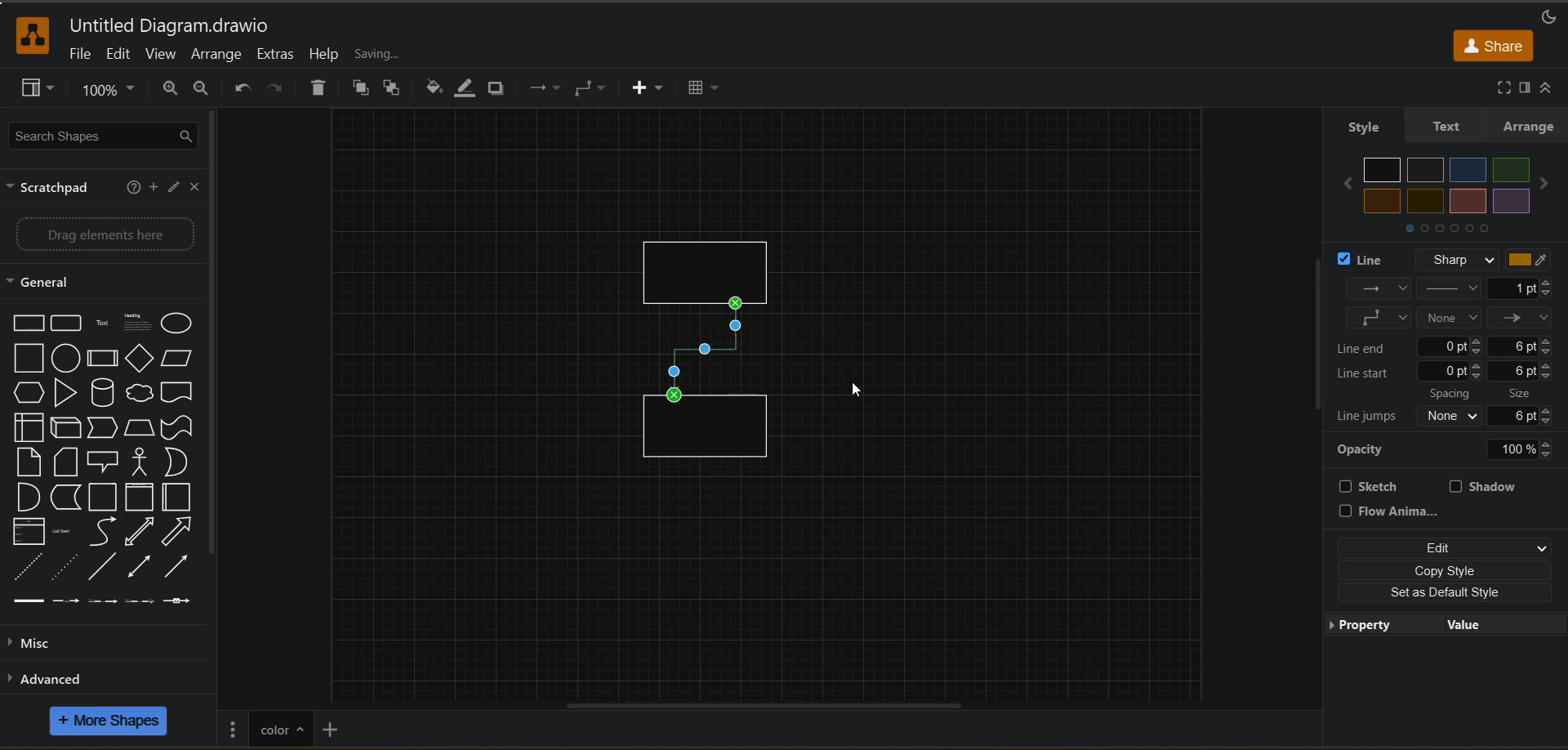 Image resolution: width=1568 pixels, height=750 pixels. Describe the element at coordinates (138, 565) in the screenshot. I see `Bidirectional Arrow` at that location.